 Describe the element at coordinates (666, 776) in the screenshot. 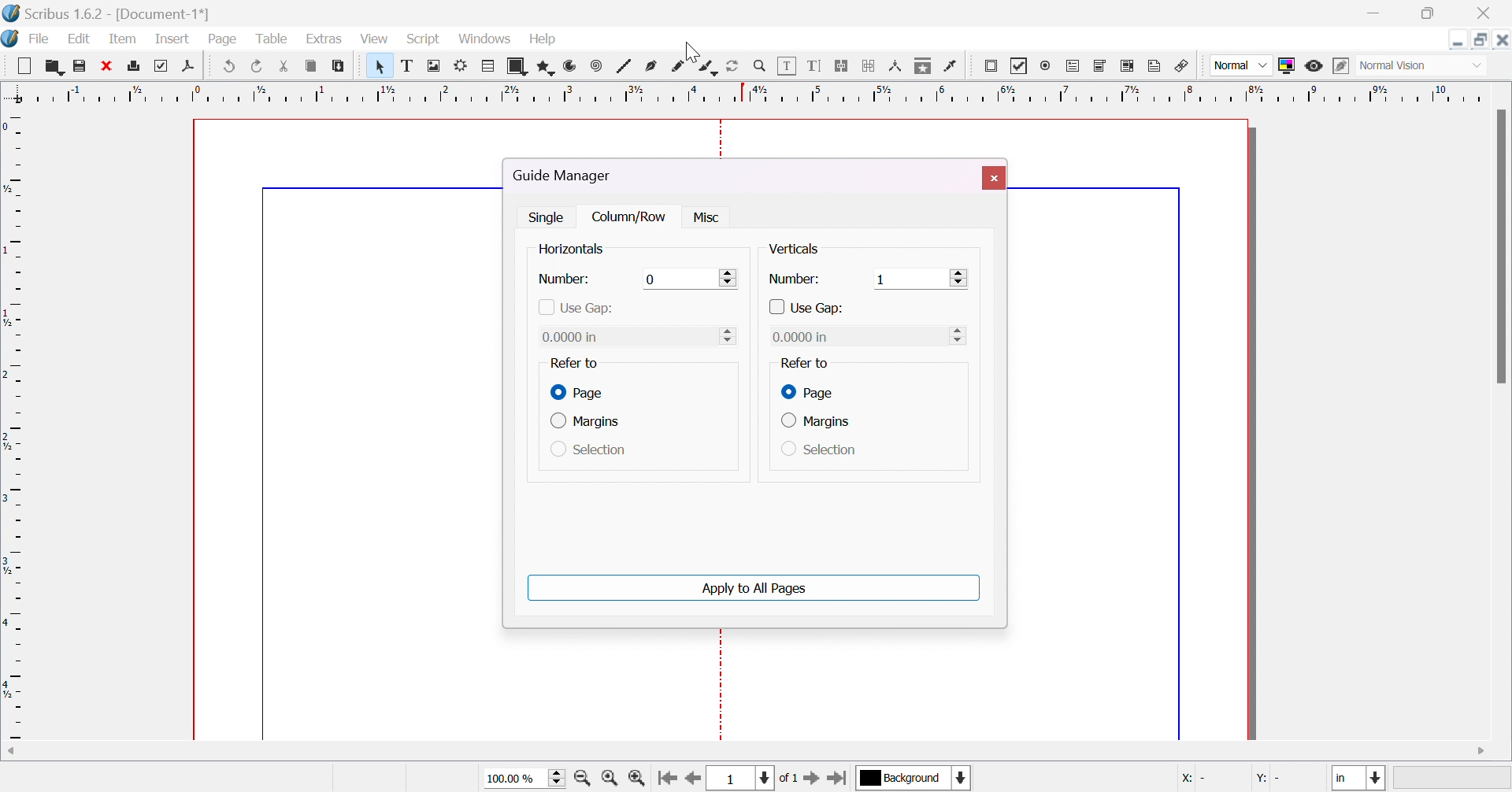

I see `go to first page` at that location.